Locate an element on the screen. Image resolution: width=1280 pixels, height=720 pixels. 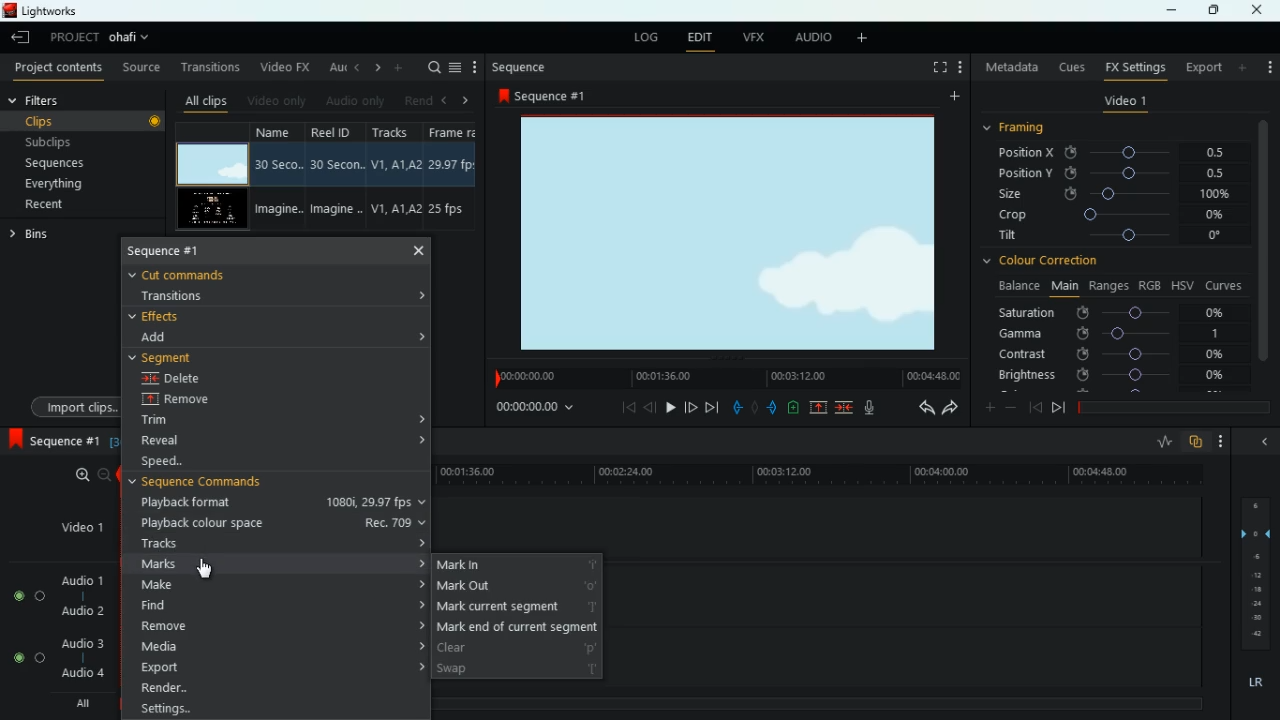
screen is located at coordinates (732, 235).